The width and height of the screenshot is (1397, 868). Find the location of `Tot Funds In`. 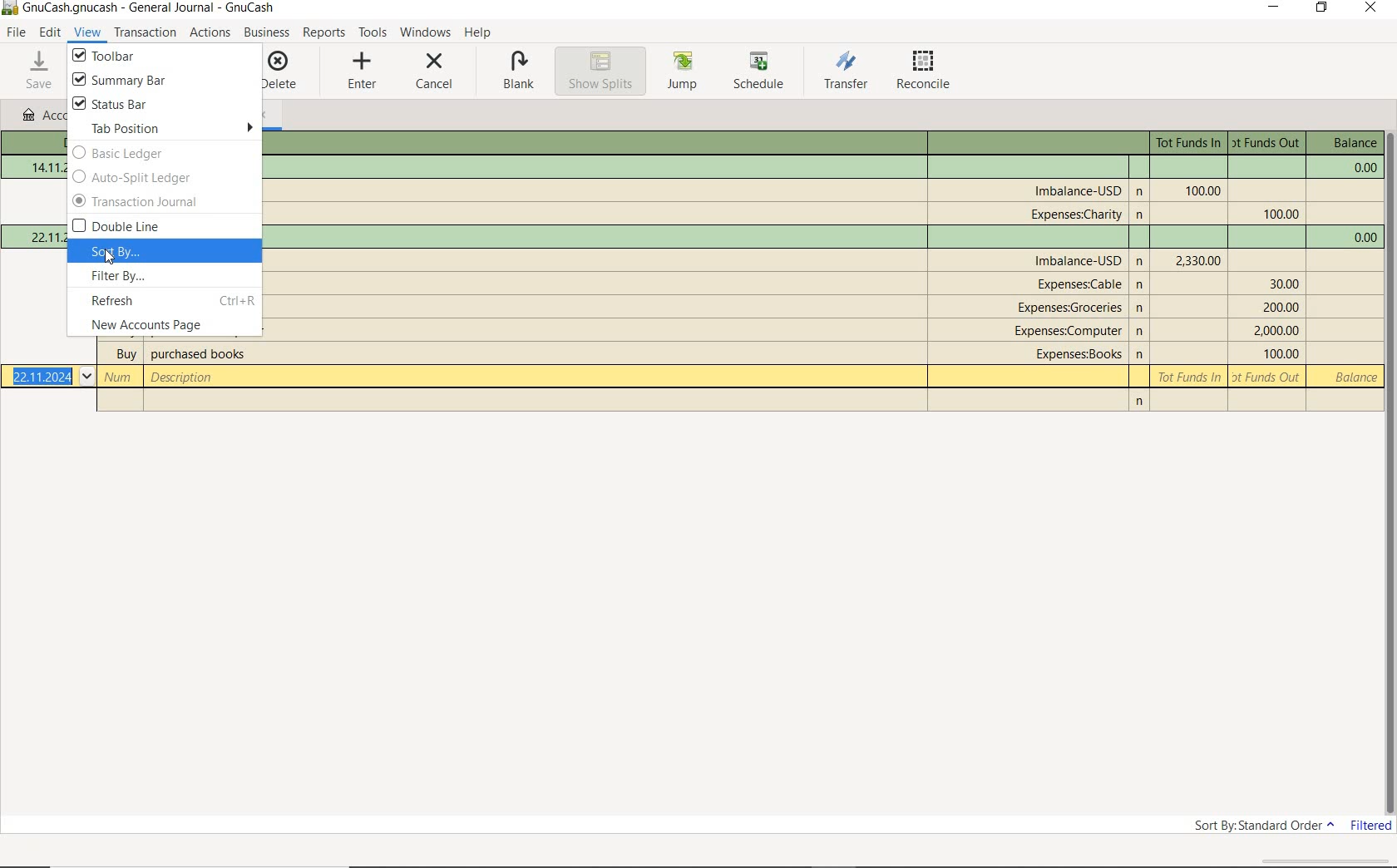

Tot Funds In is located at coordinates (1190, 143).